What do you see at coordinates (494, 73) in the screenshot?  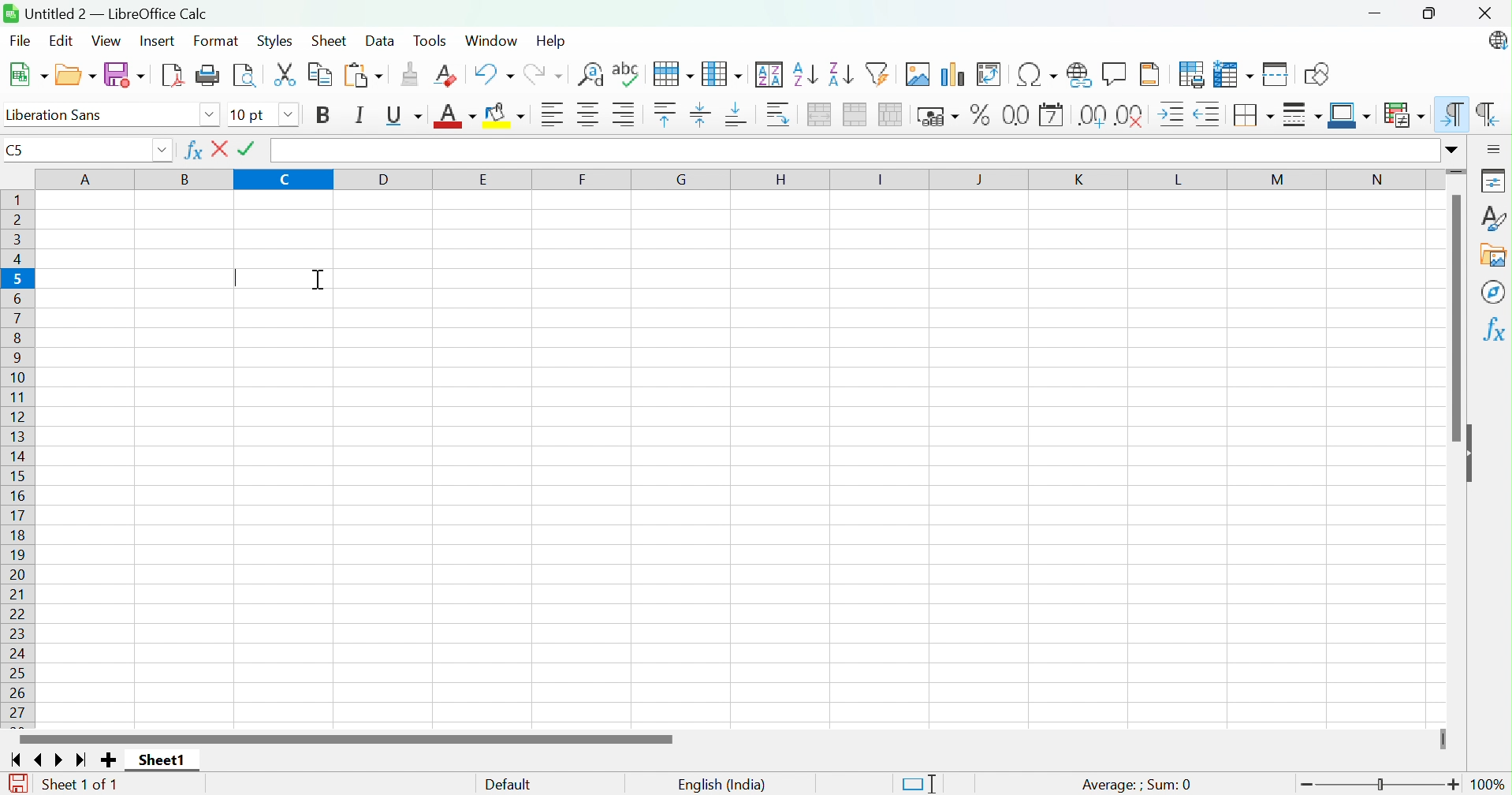 I see `Undo` at bounding box center [494, 73].